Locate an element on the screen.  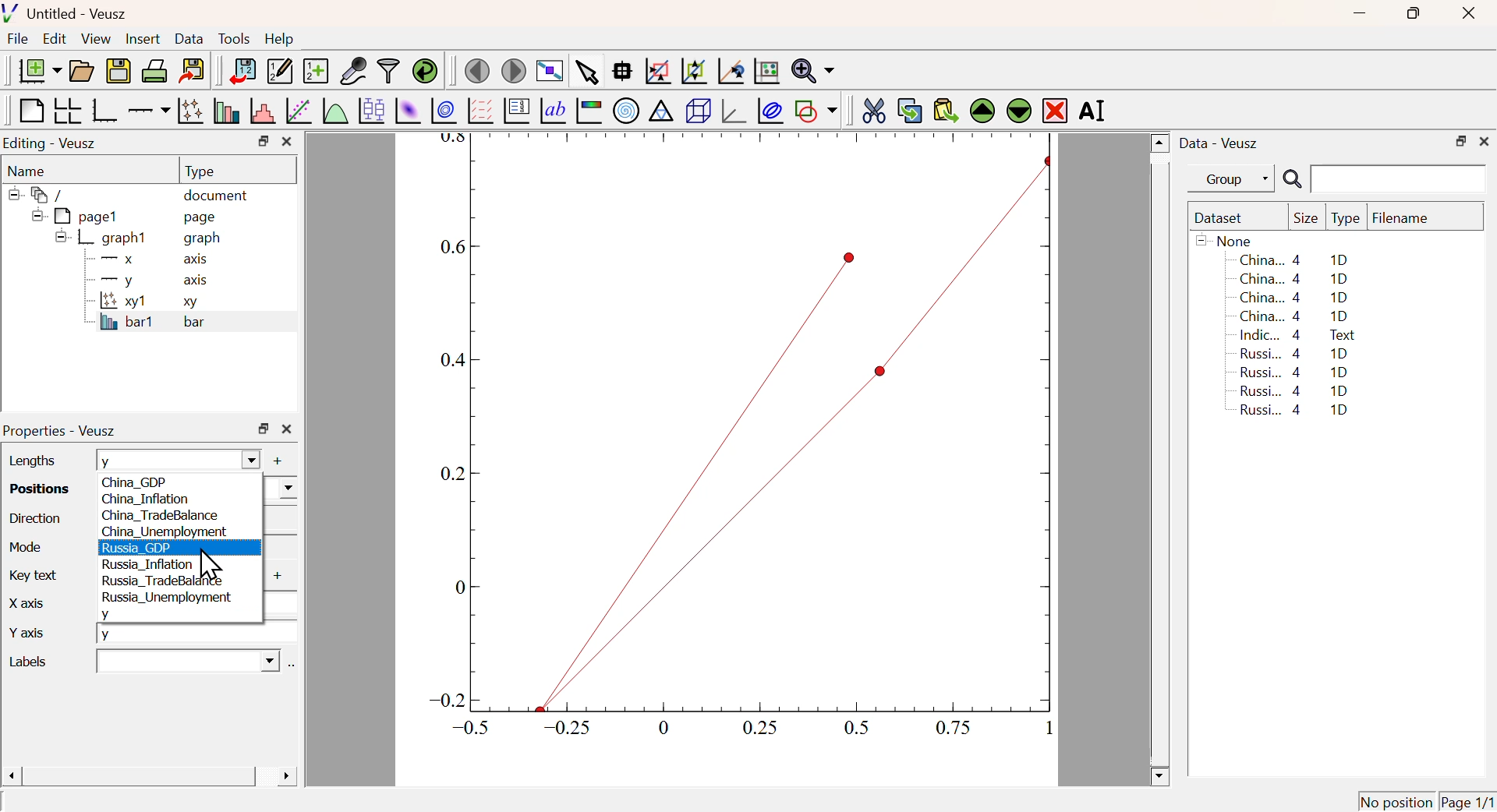
Close is located at coordinates (1485, 139).